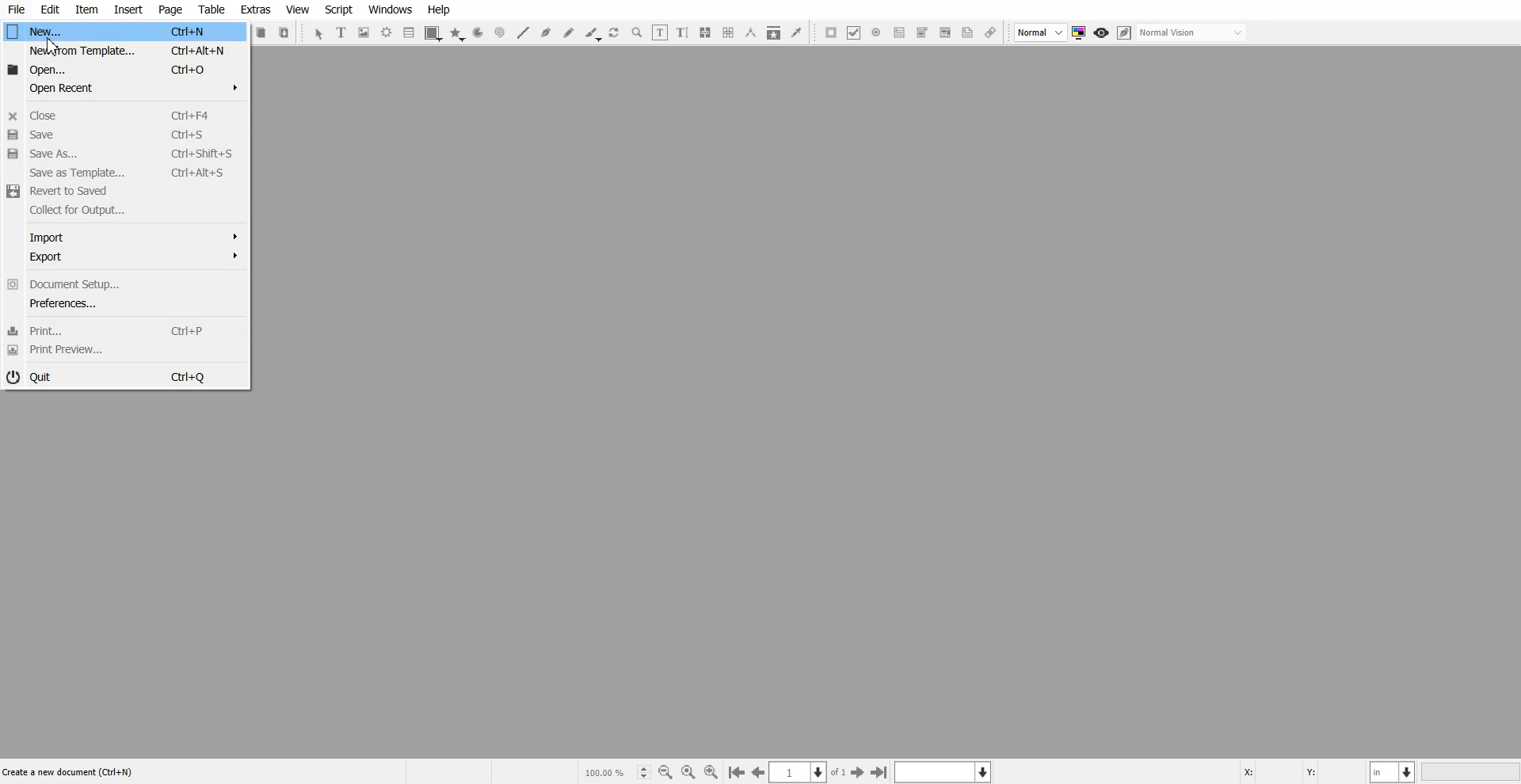  Describe the element at coordinates (128, 10) in the screenshot. I see `Insert` at that location.